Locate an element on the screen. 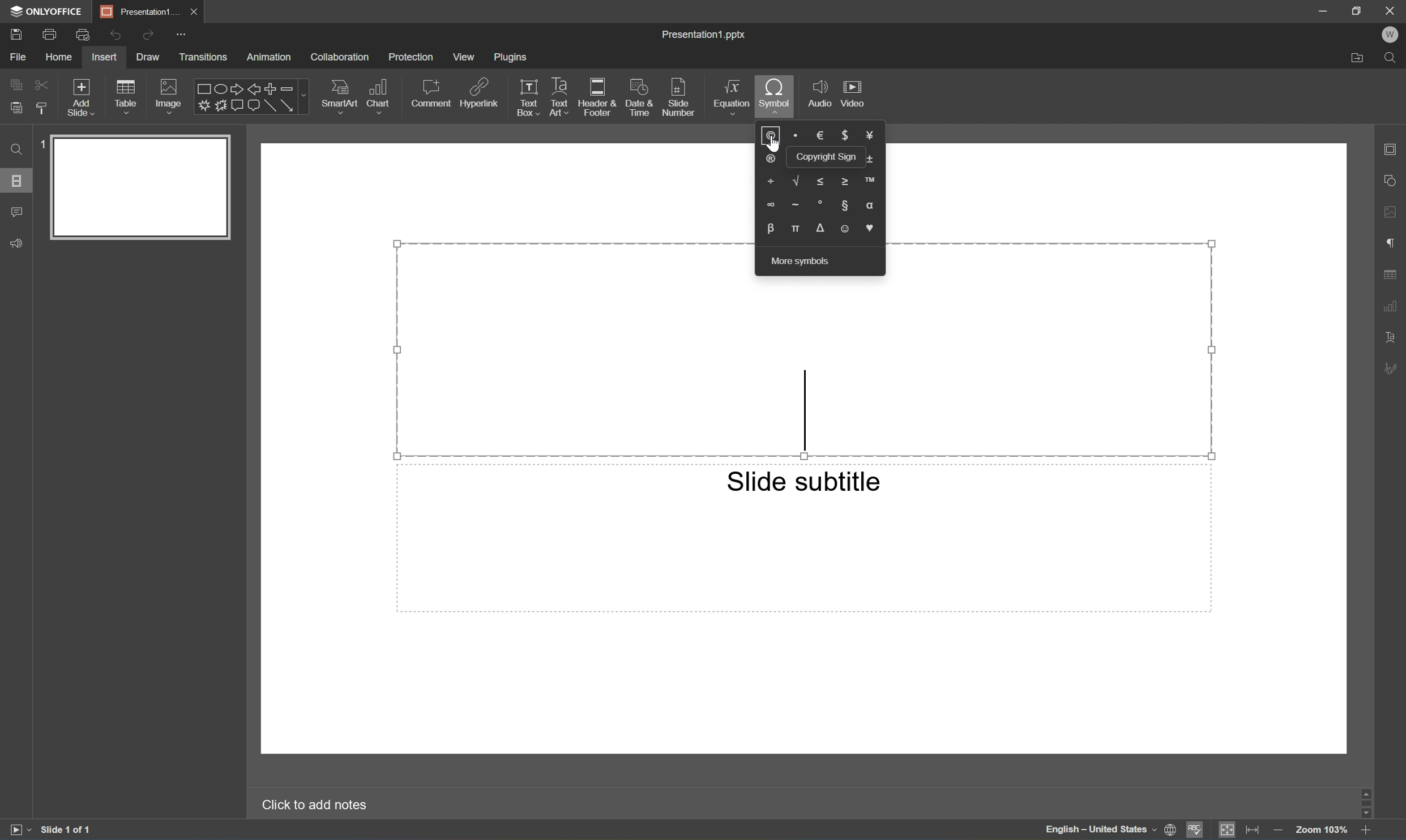 The image size is (1406, 840). Undo is located at coordinates (112, 36).